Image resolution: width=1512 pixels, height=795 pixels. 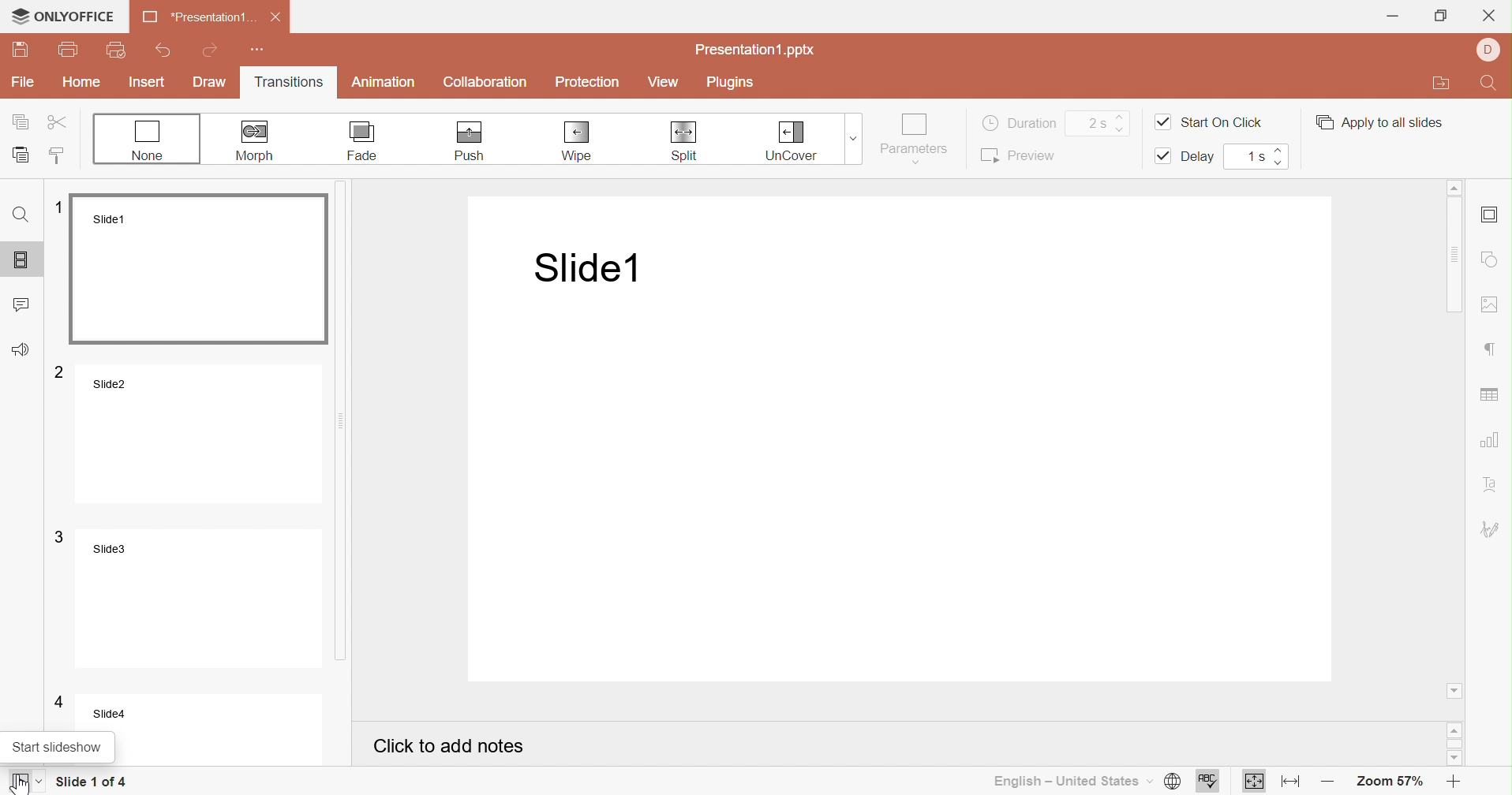 What do you see at coordinates (384, 82) in the screenshot?
I see `Animation` at bounding box center [384, 82].